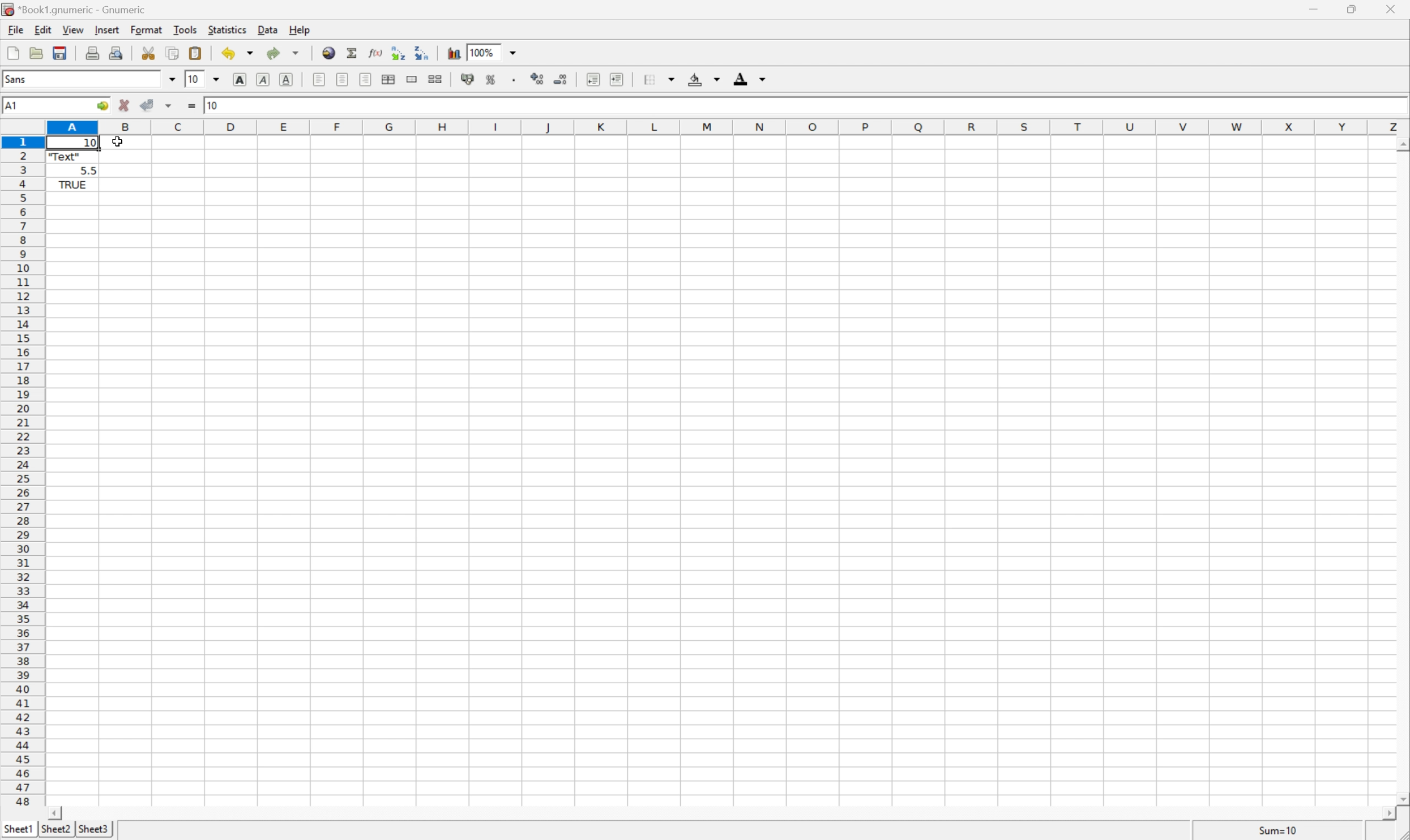 The width and height of the screenshot is (1410, 840). Describe the element at coordinates (302, 29) in the screenshot. I see `Help` at that location.